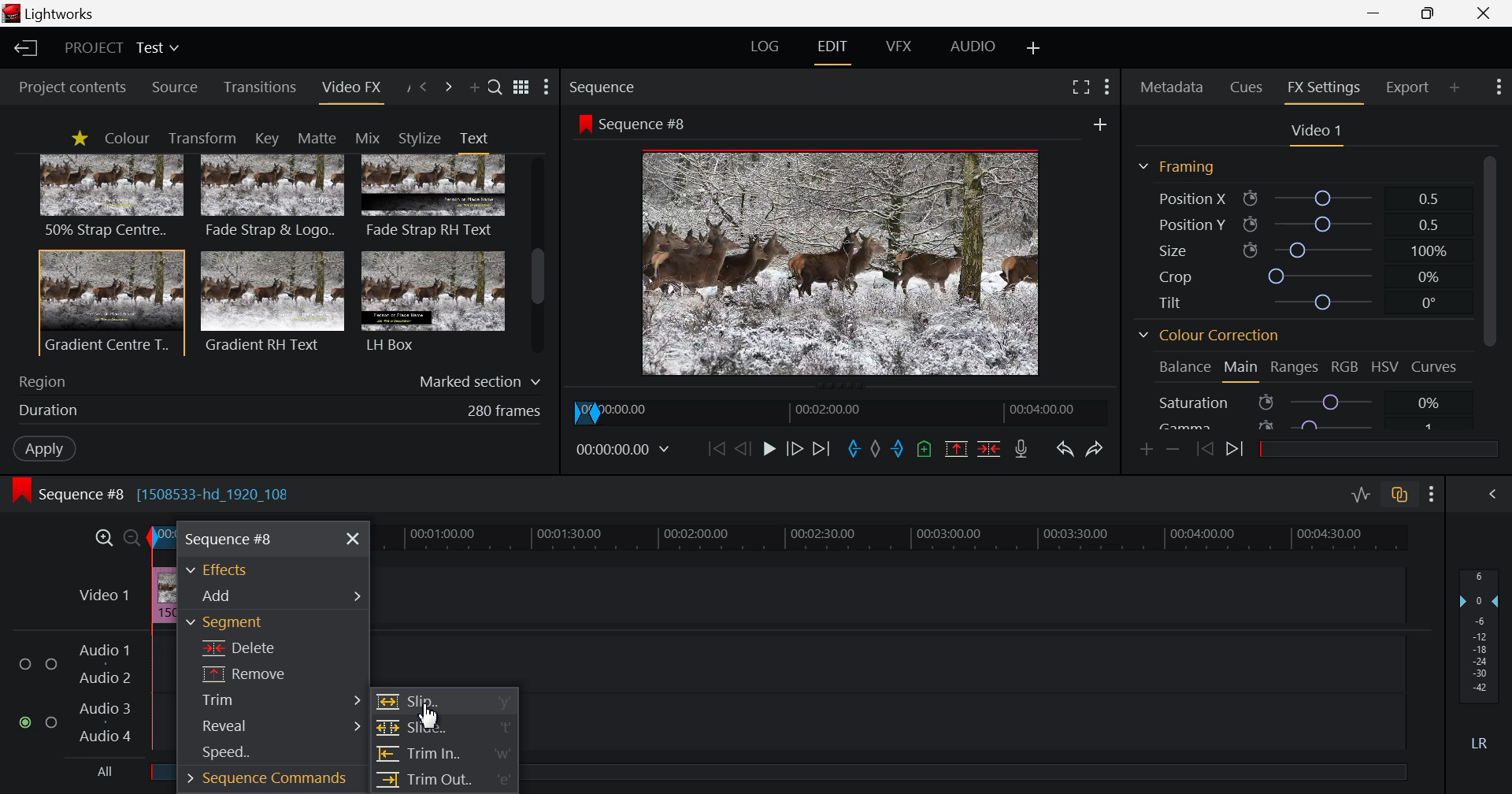 The height and width of the screenshot is (794, 1512). Describe the element at coordinates (1205, 449) in the screenshot. I see `Previous keyframe` at that location.